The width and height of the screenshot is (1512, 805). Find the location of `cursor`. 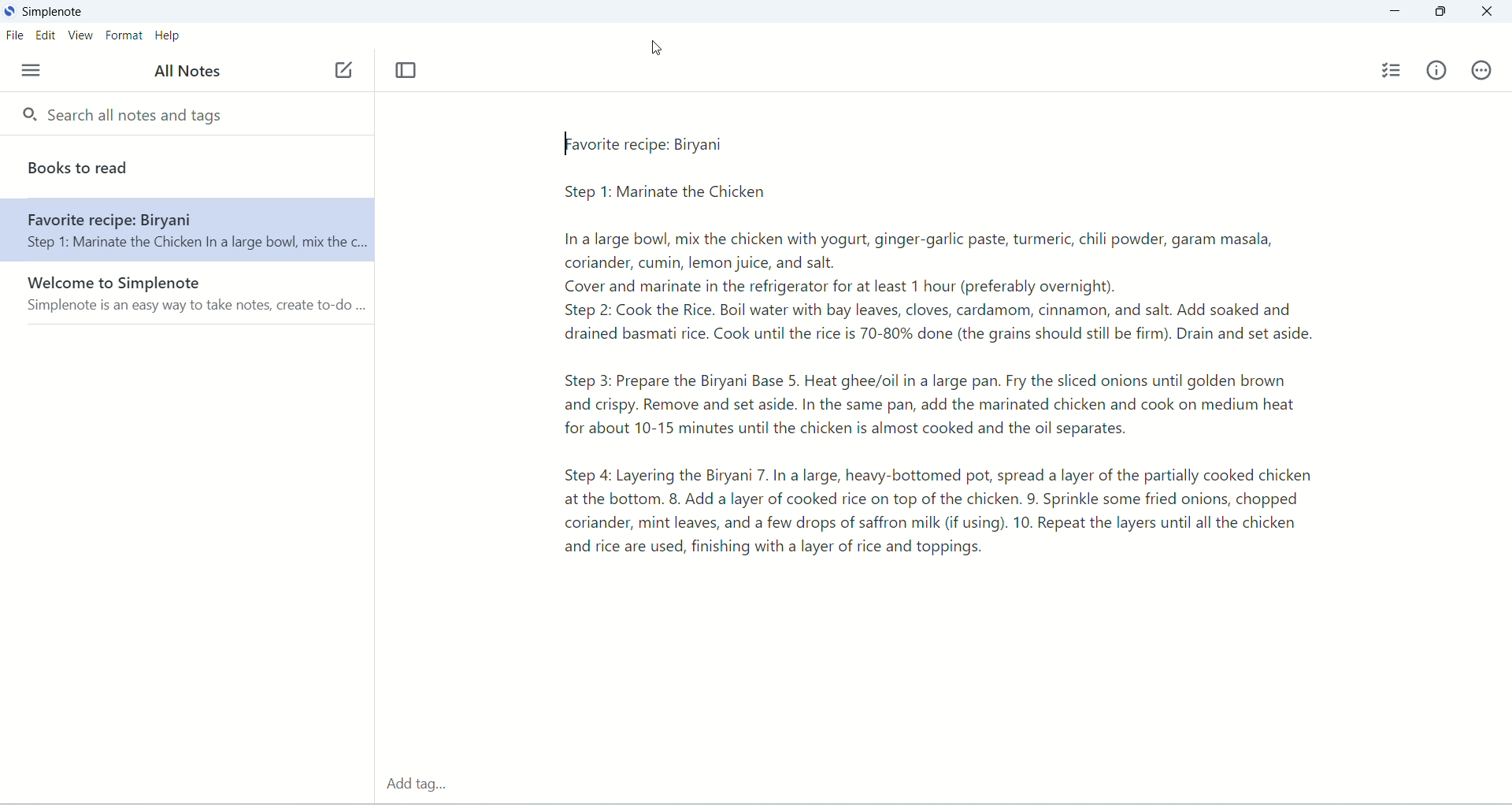

cursor is located at coordinates (663, 53).